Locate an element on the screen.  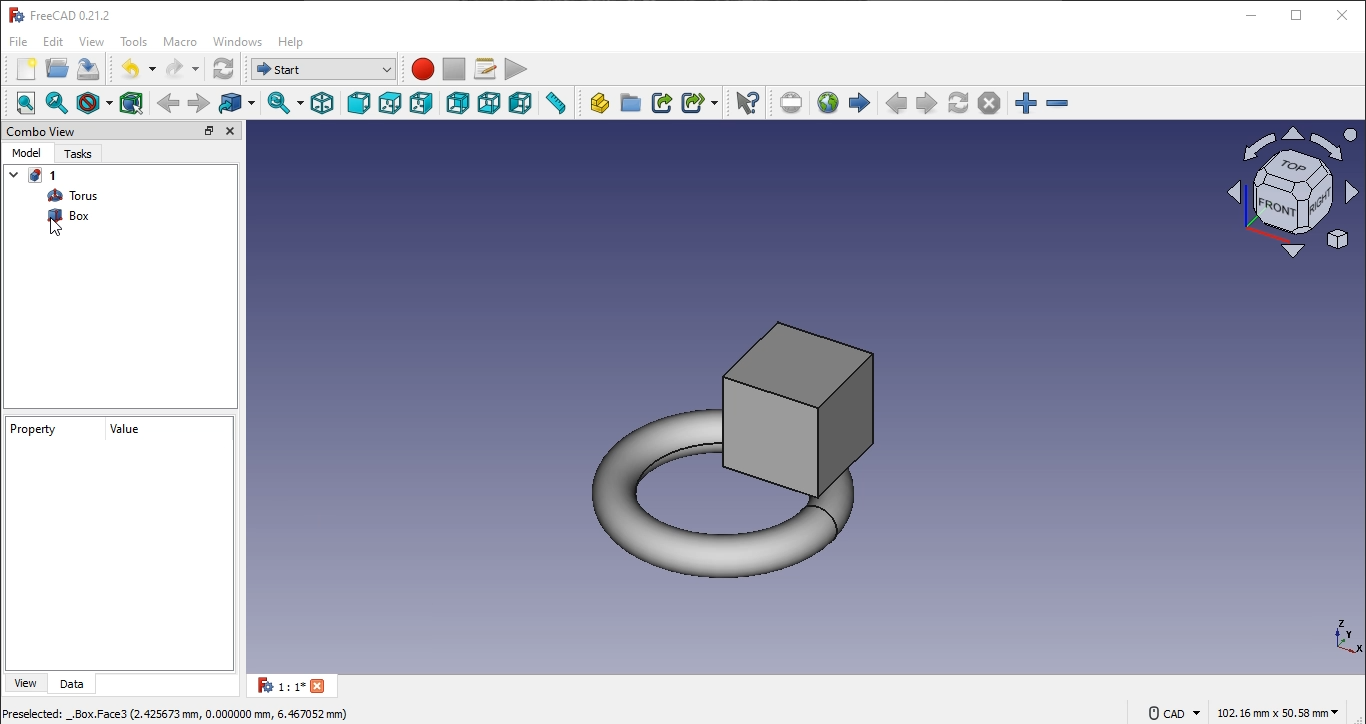
previouspage is located at coordinates (896, 103).